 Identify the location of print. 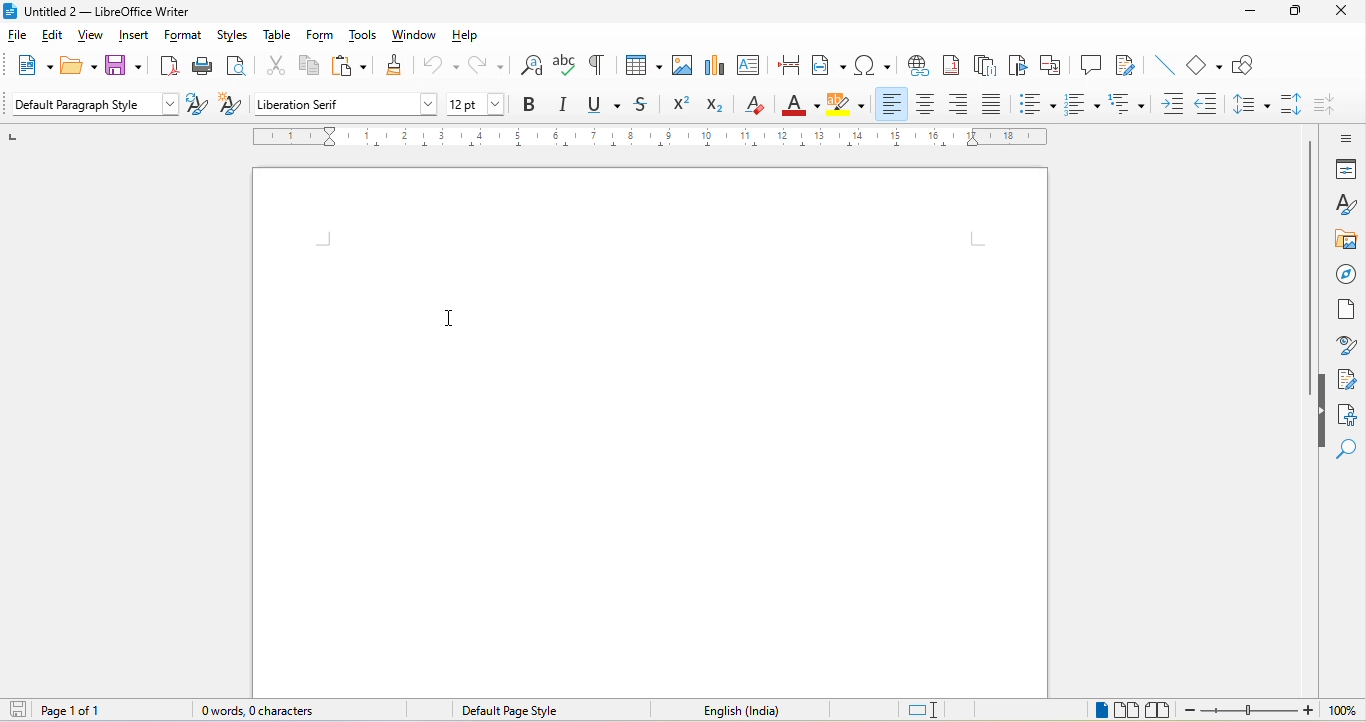
(207, 67).